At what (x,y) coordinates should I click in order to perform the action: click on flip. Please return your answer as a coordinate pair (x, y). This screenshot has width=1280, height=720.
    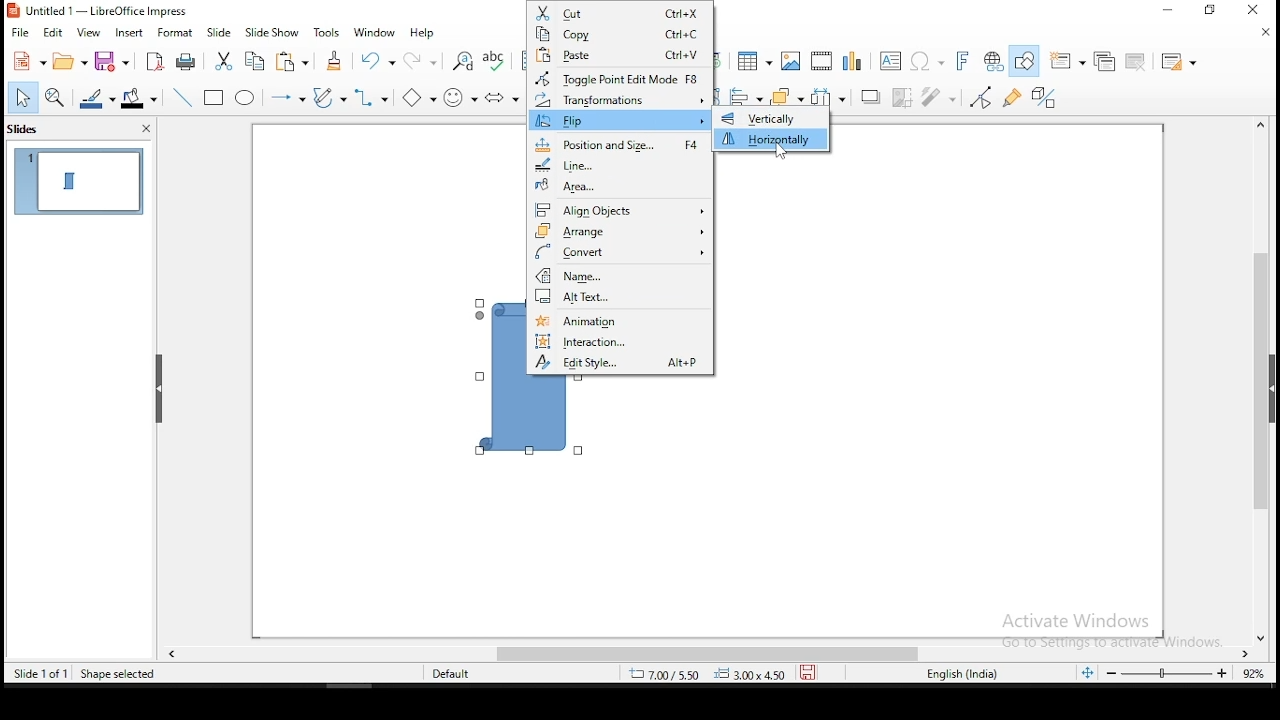
    Looking at the image, I should click on (620, 120).